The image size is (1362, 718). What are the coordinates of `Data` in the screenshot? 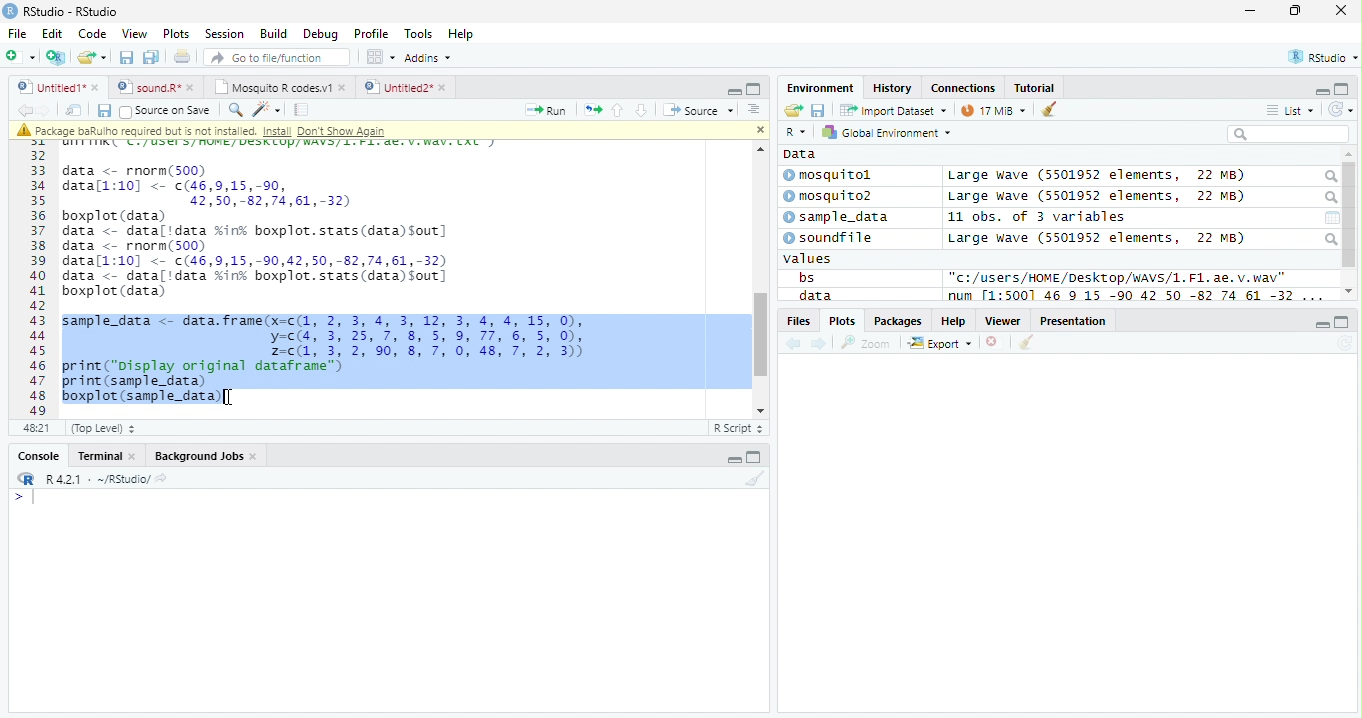 It's located at (800, 154).